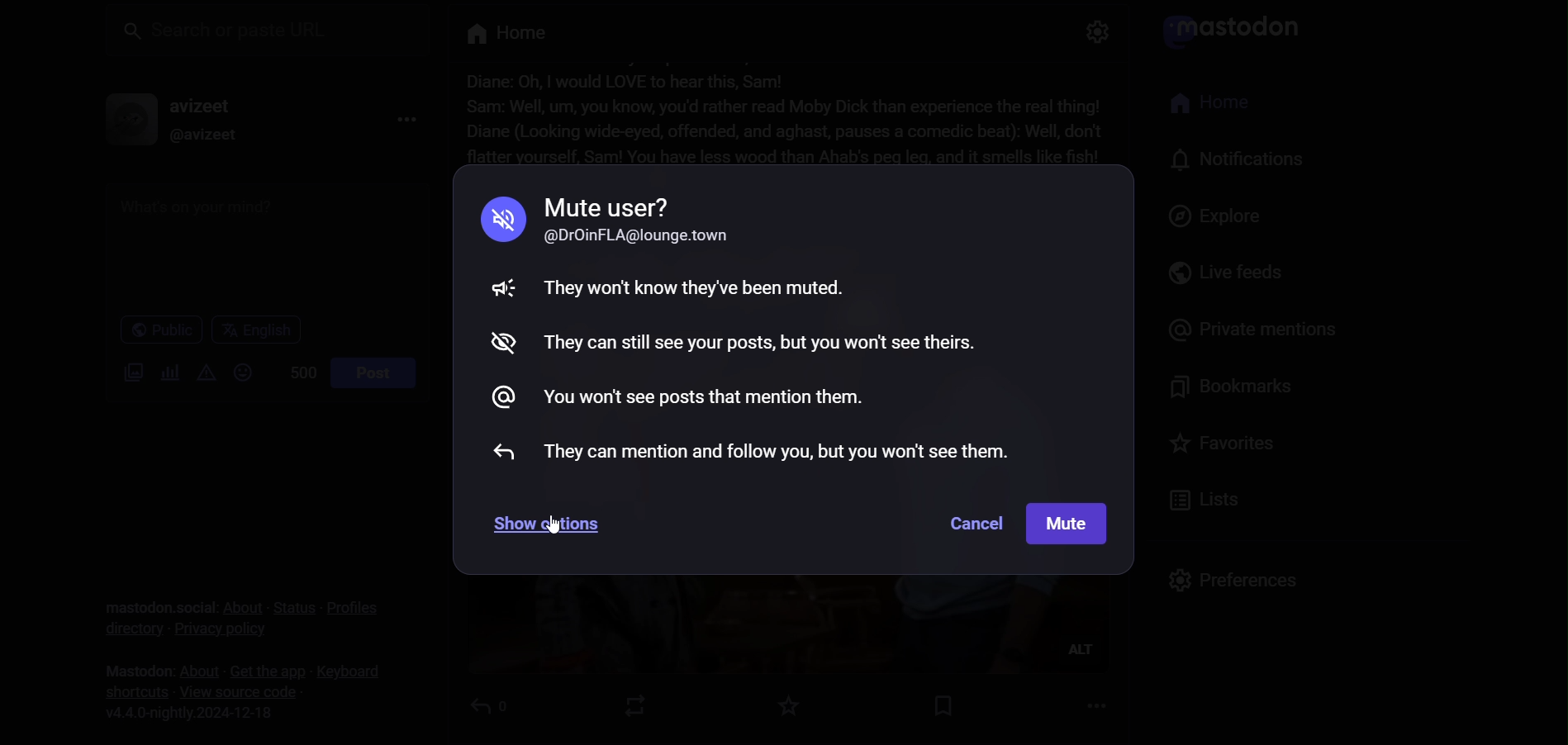 Image resolution: width=1568 pixels, height=745 pixels. I want to click on cursor, so click(552, 527).